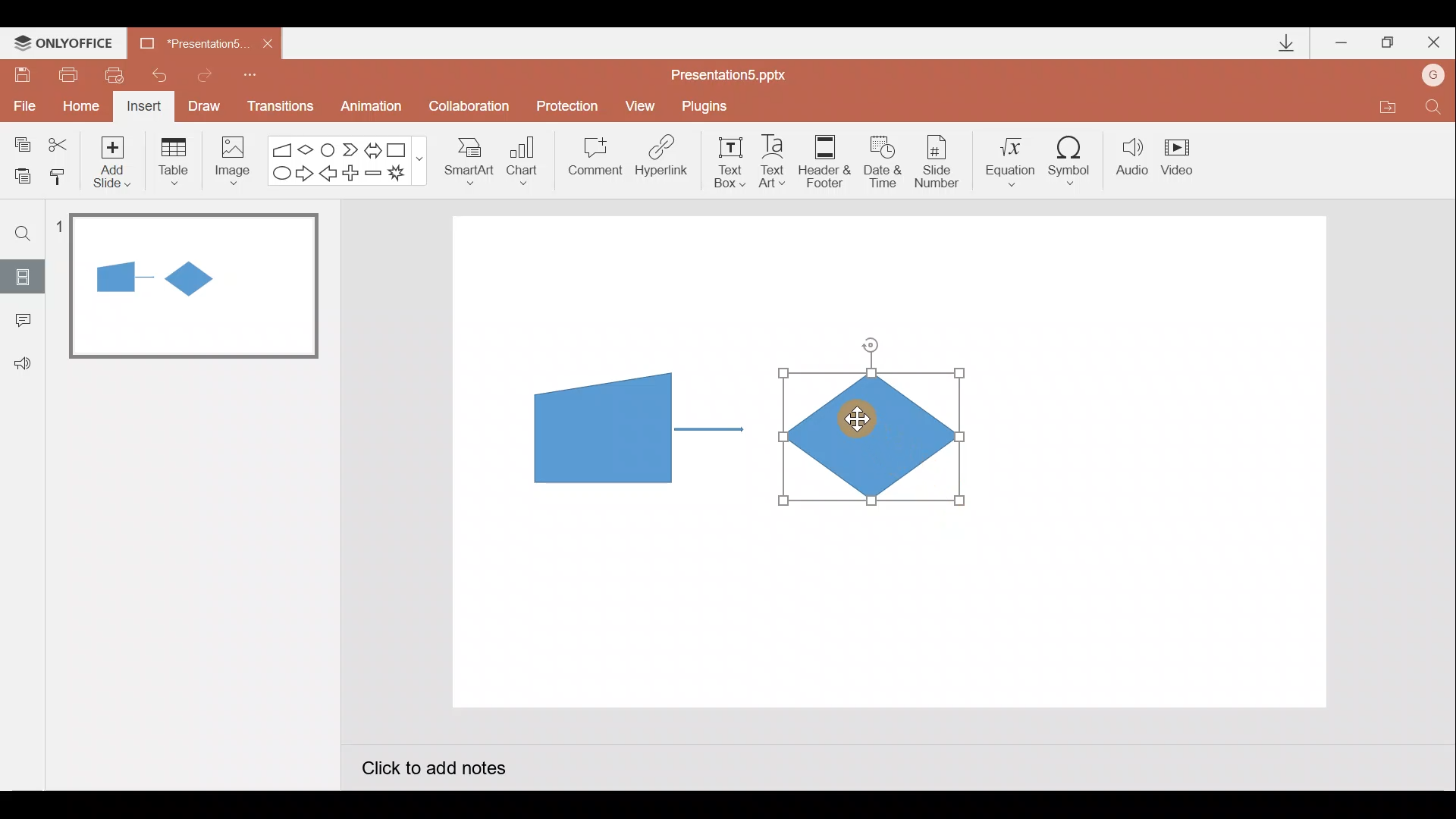  I want to click on Cursor, so click(852, 421).